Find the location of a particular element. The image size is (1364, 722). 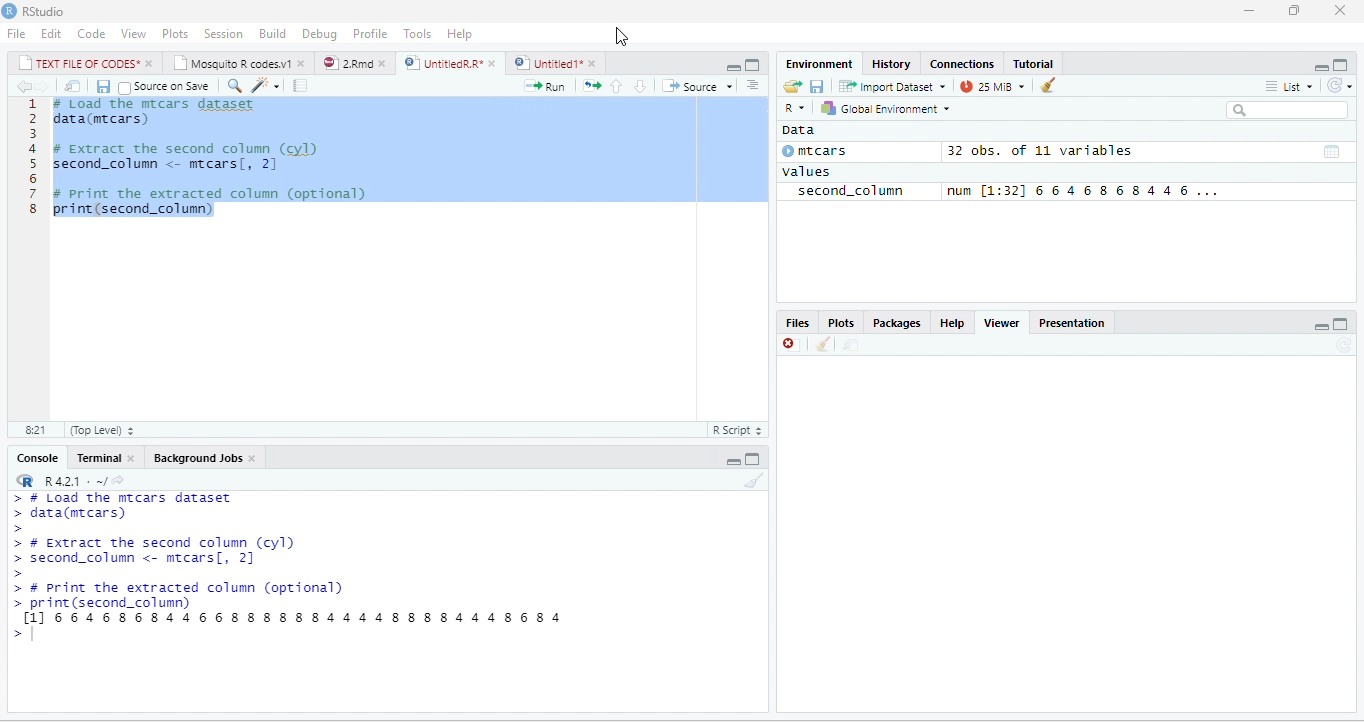

RStudio is located at coordinates (50, 12).